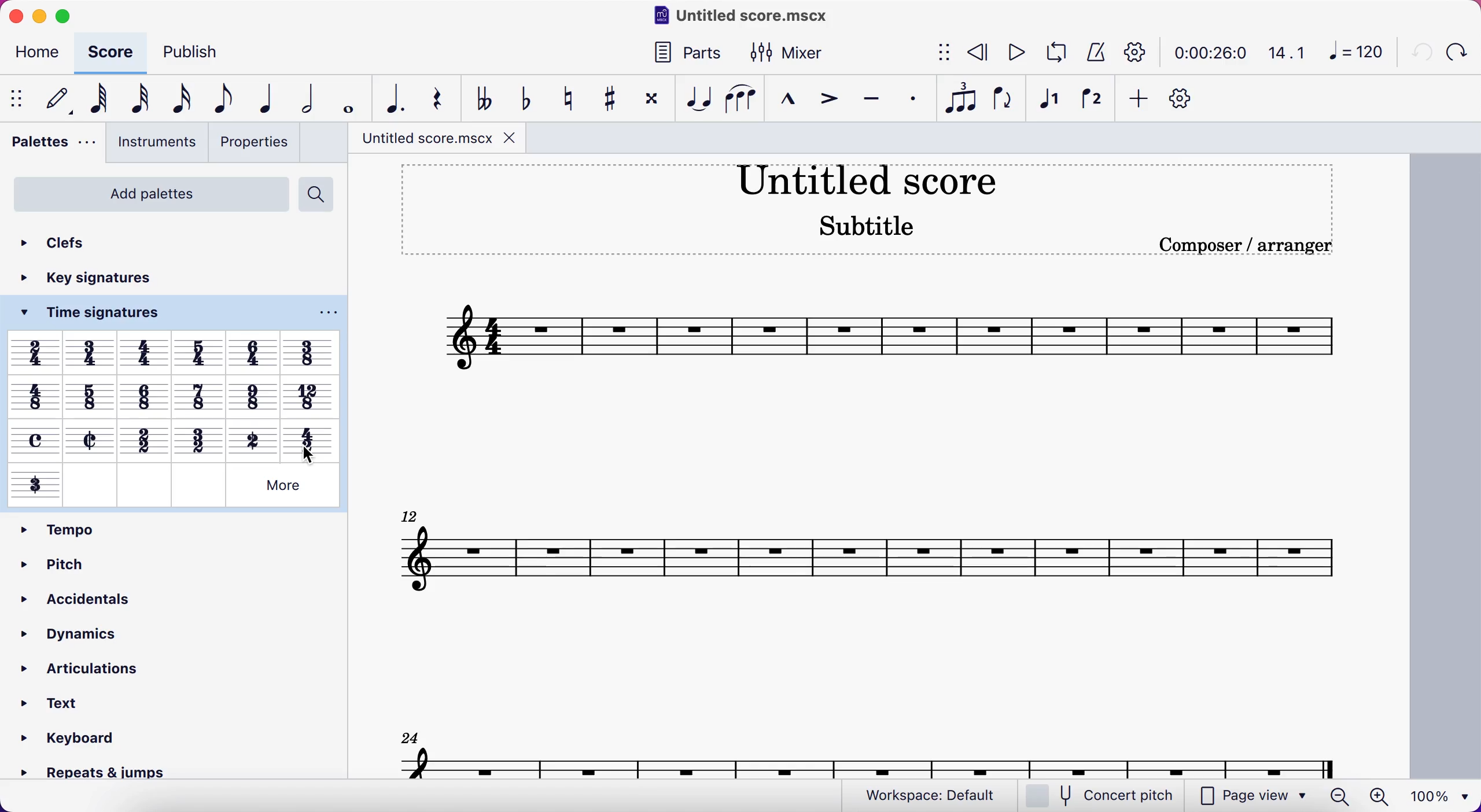 The height and width of the screenshot is (812, 1481). Describe the element at coordinates (739, 98) in the screenshot. I see `slur` at that location.